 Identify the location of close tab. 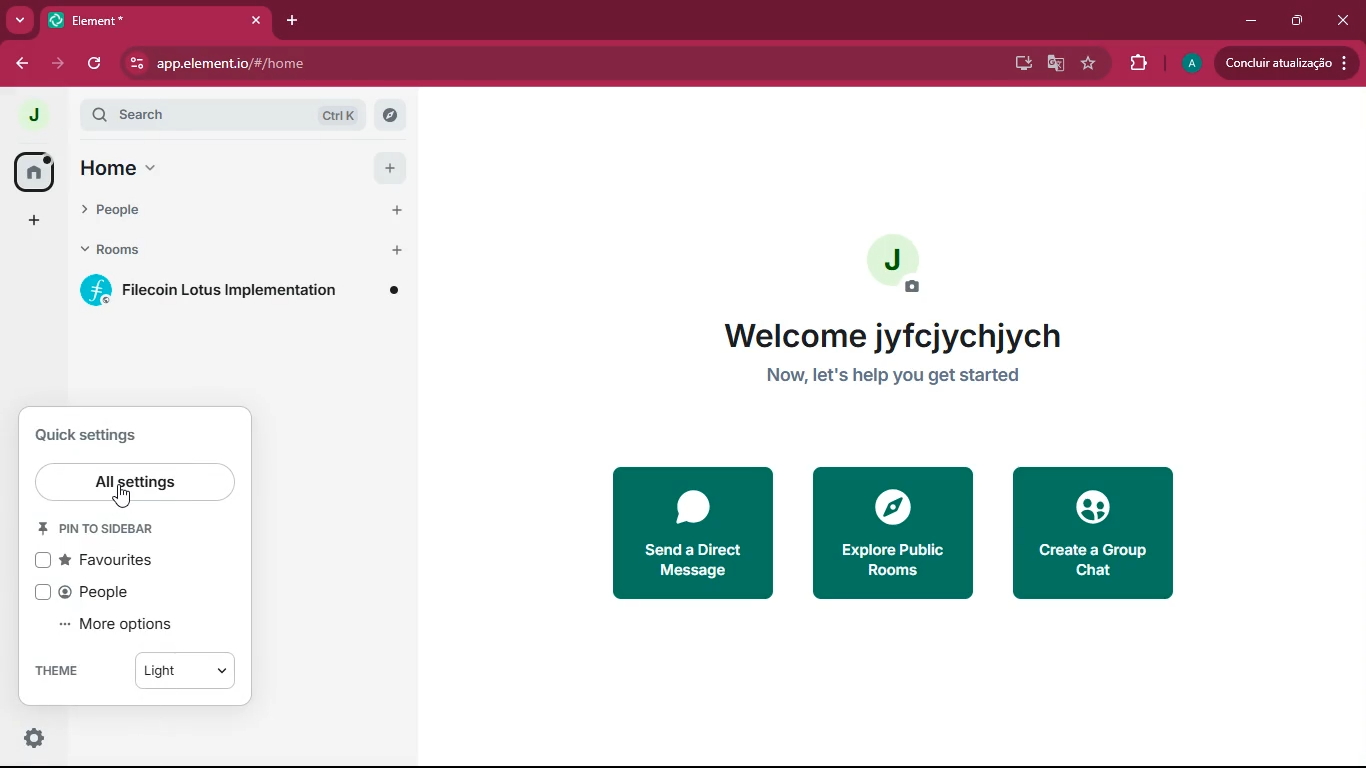
(260, 19).